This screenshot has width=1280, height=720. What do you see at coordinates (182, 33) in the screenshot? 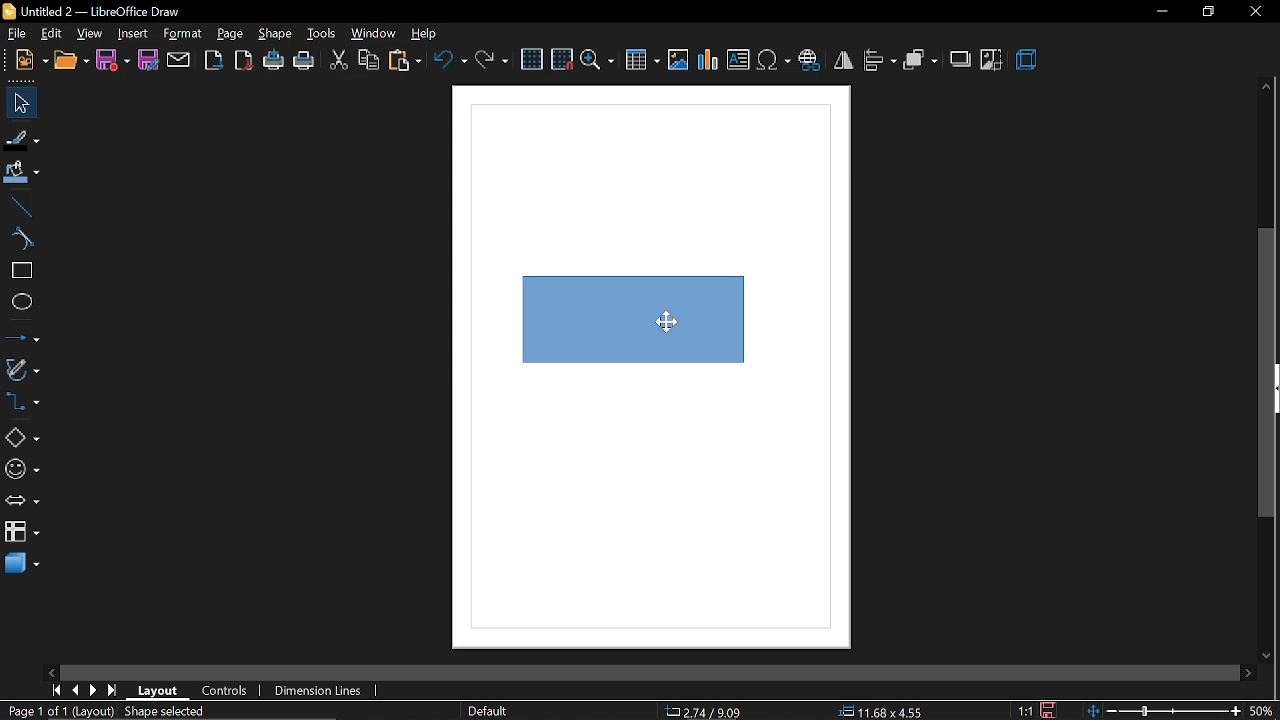
I see `format` at bounding box center [182, 33].